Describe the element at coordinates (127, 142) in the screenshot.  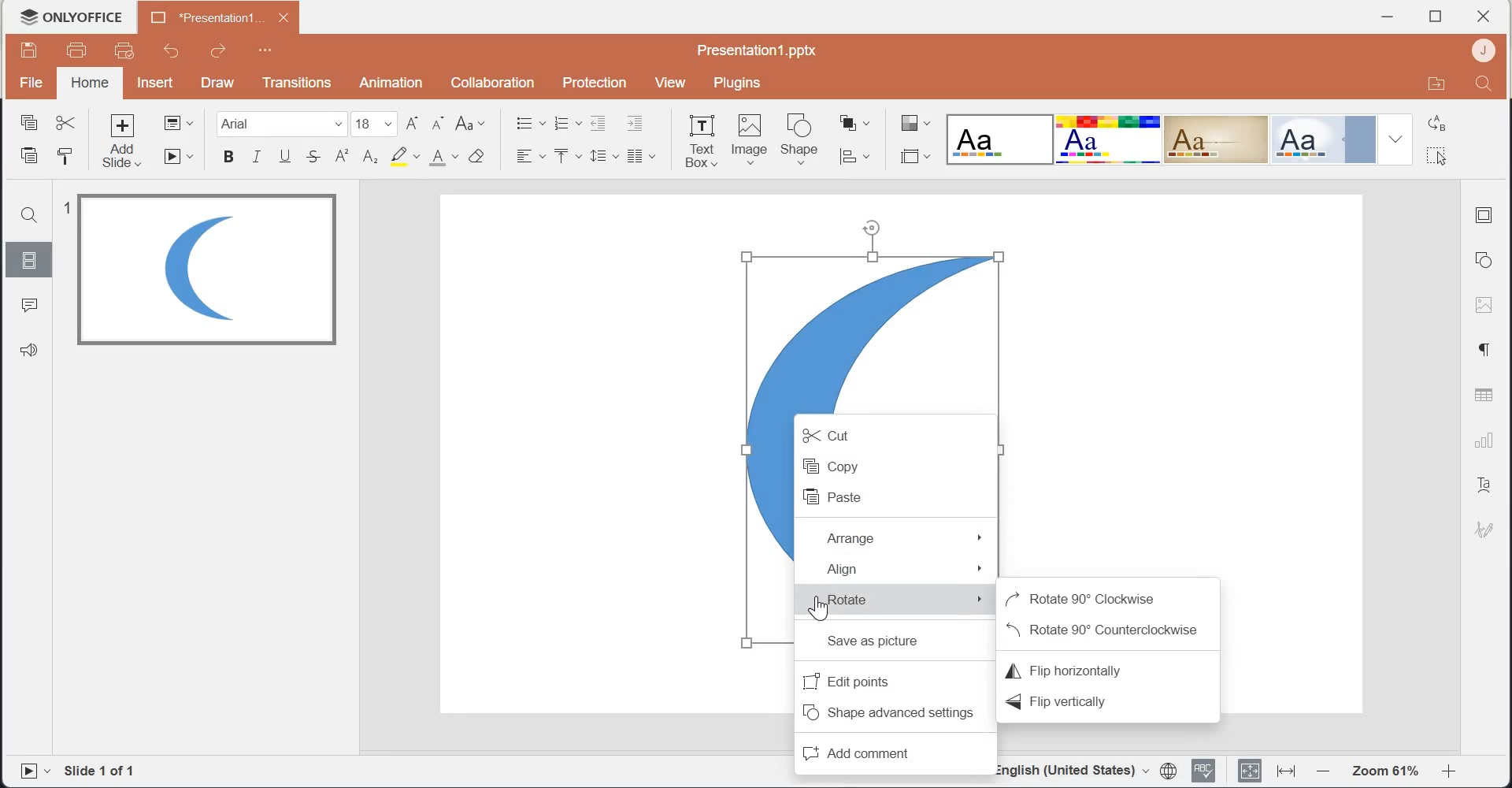
I see `Add slide` at that location.